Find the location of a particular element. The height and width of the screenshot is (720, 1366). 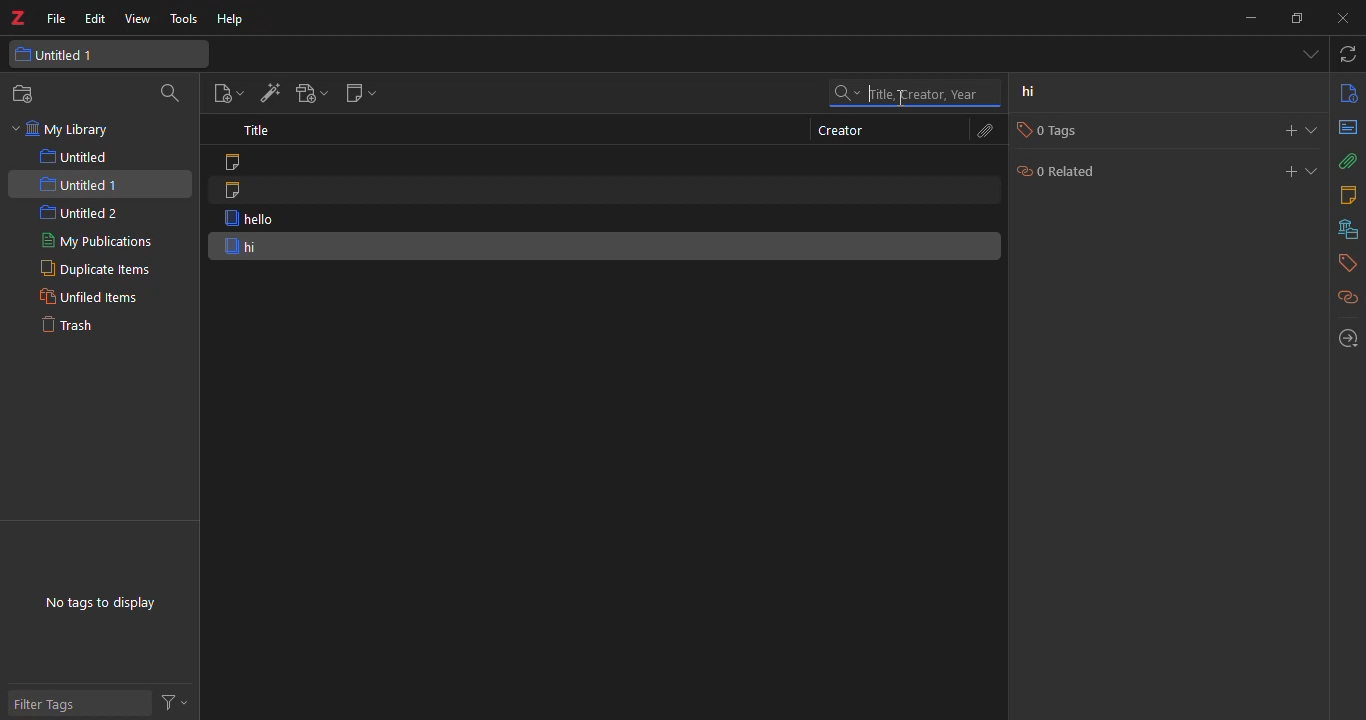

item is located at coordinates (249, 220).